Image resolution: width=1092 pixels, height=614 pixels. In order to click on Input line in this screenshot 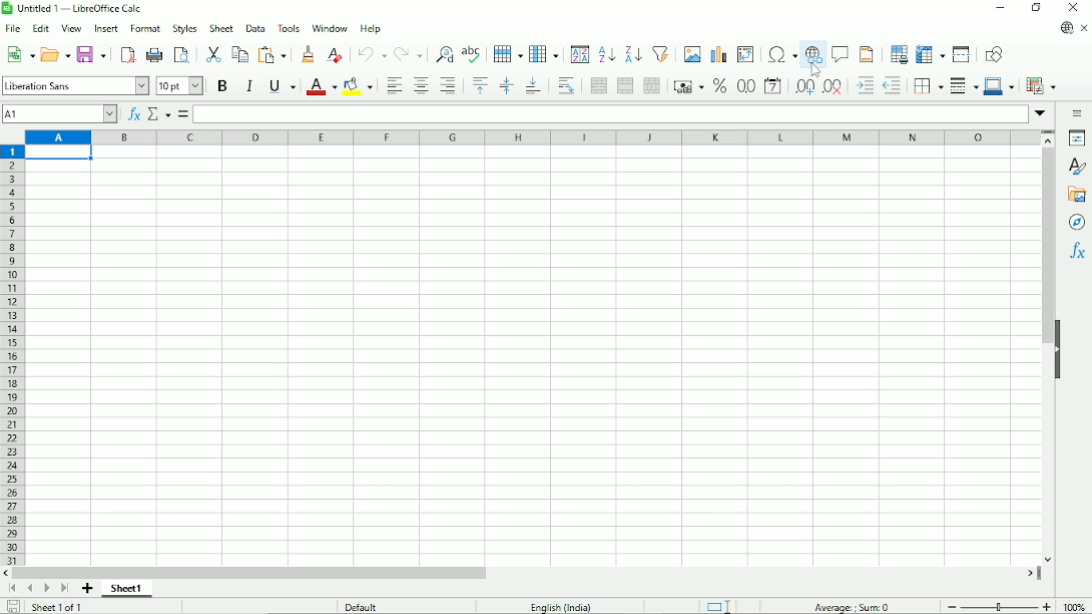, I will do `click(611, 114)`.